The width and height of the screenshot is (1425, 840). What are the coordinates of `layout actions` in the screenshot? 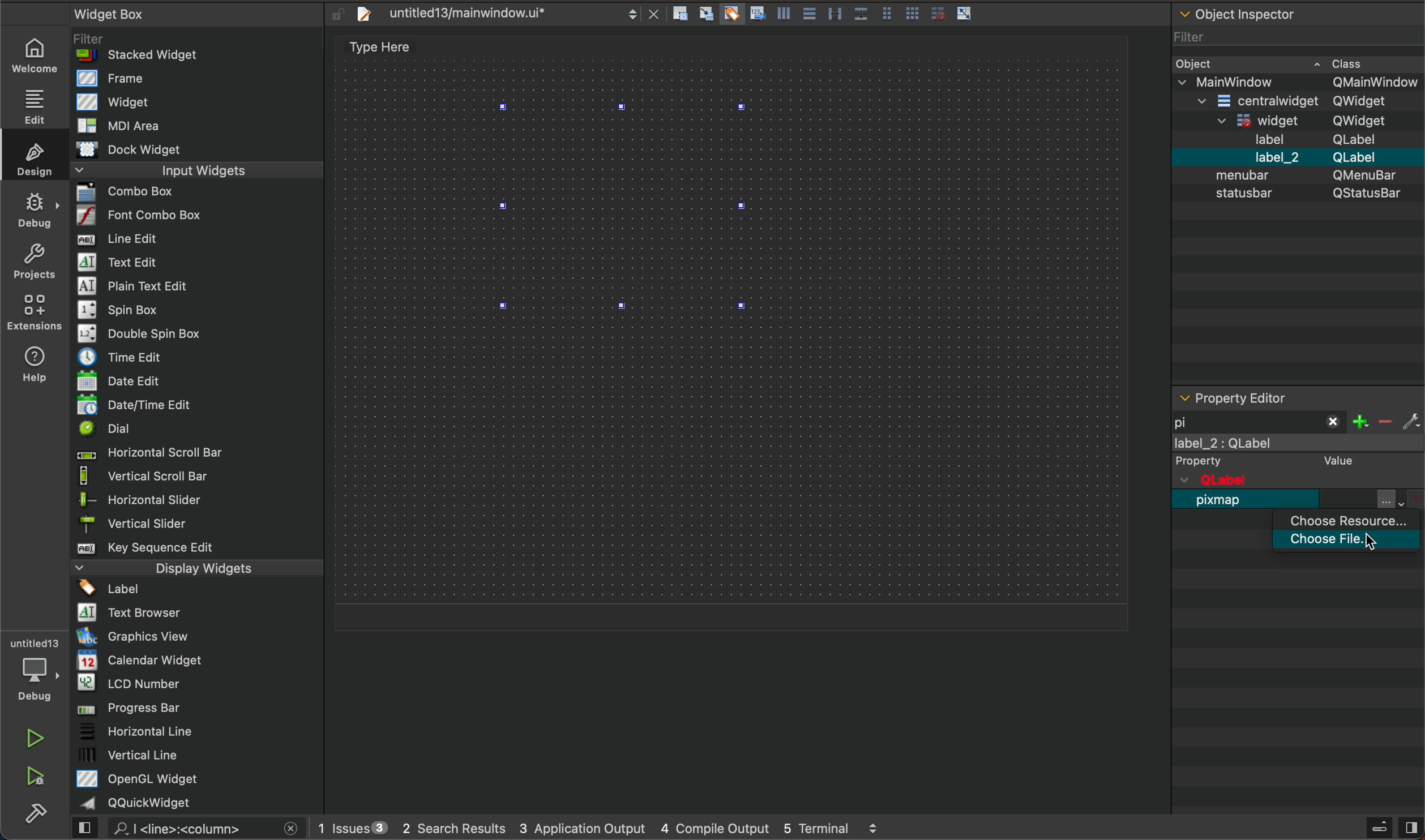 It's located at (828, 16).